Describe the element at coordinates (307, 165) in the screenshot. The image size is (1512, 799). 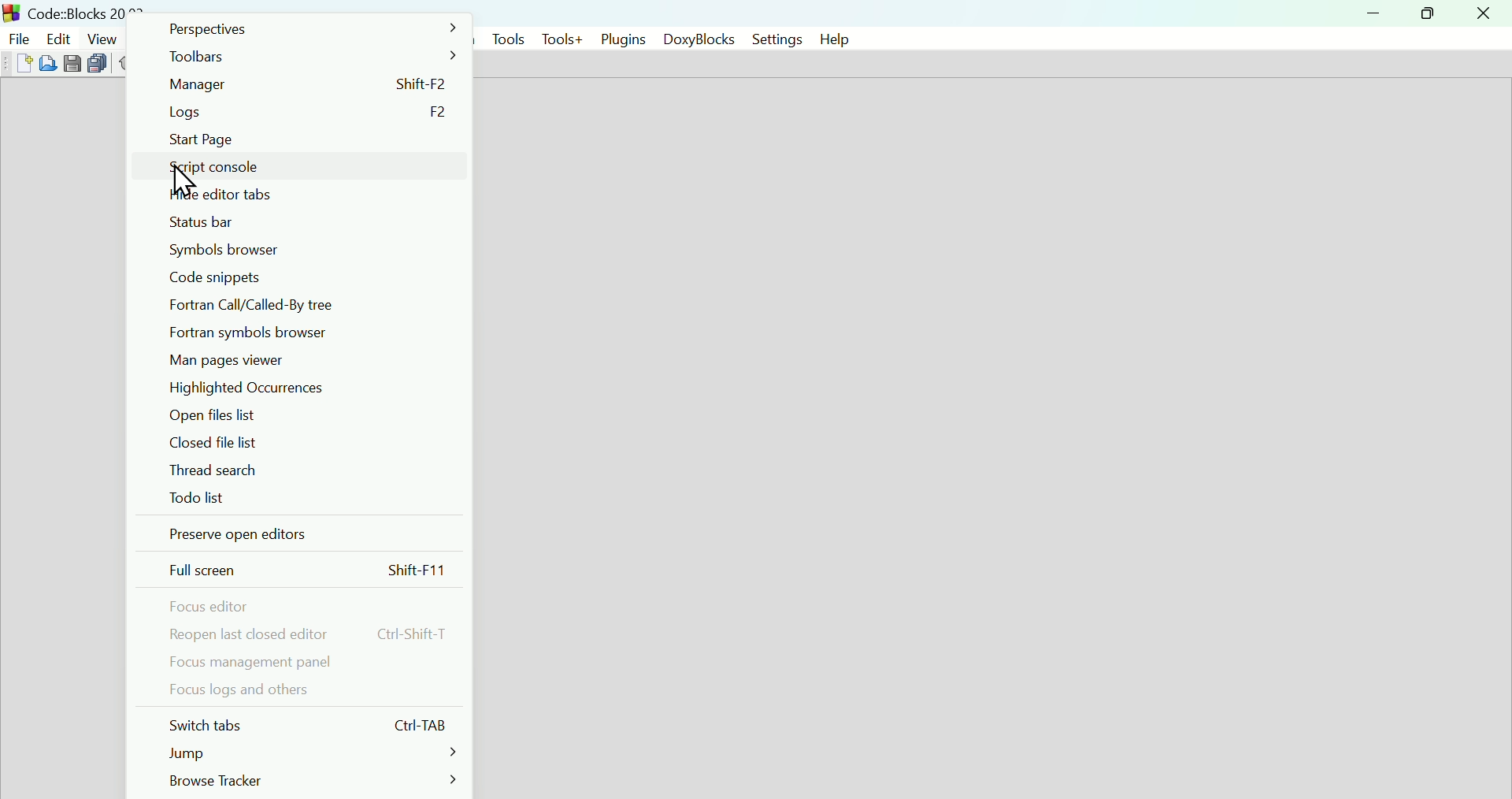
I see `Script console` at that location.